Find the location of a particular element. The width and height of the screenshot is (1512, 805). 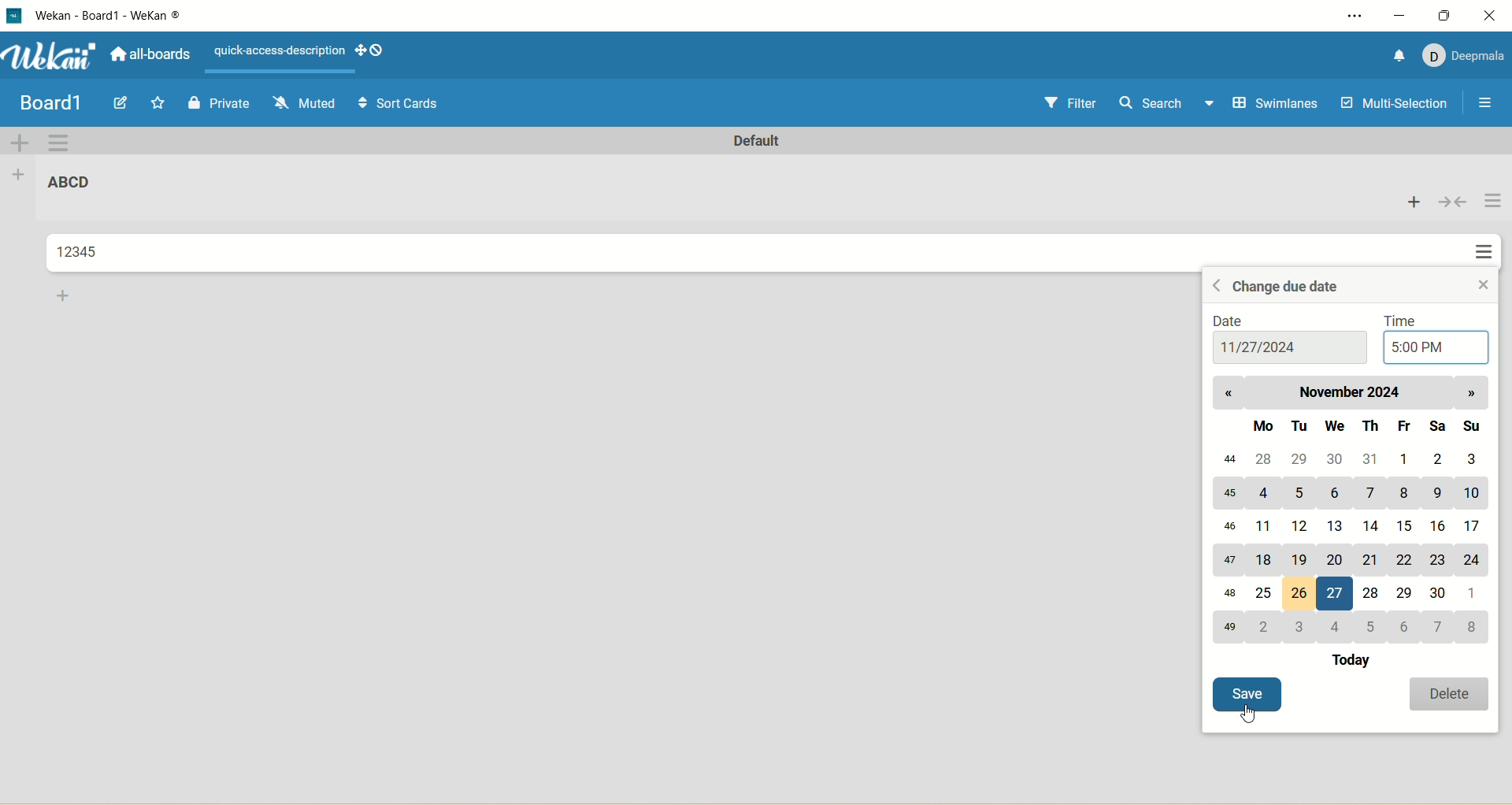

text is located at coordinates (280, 51).